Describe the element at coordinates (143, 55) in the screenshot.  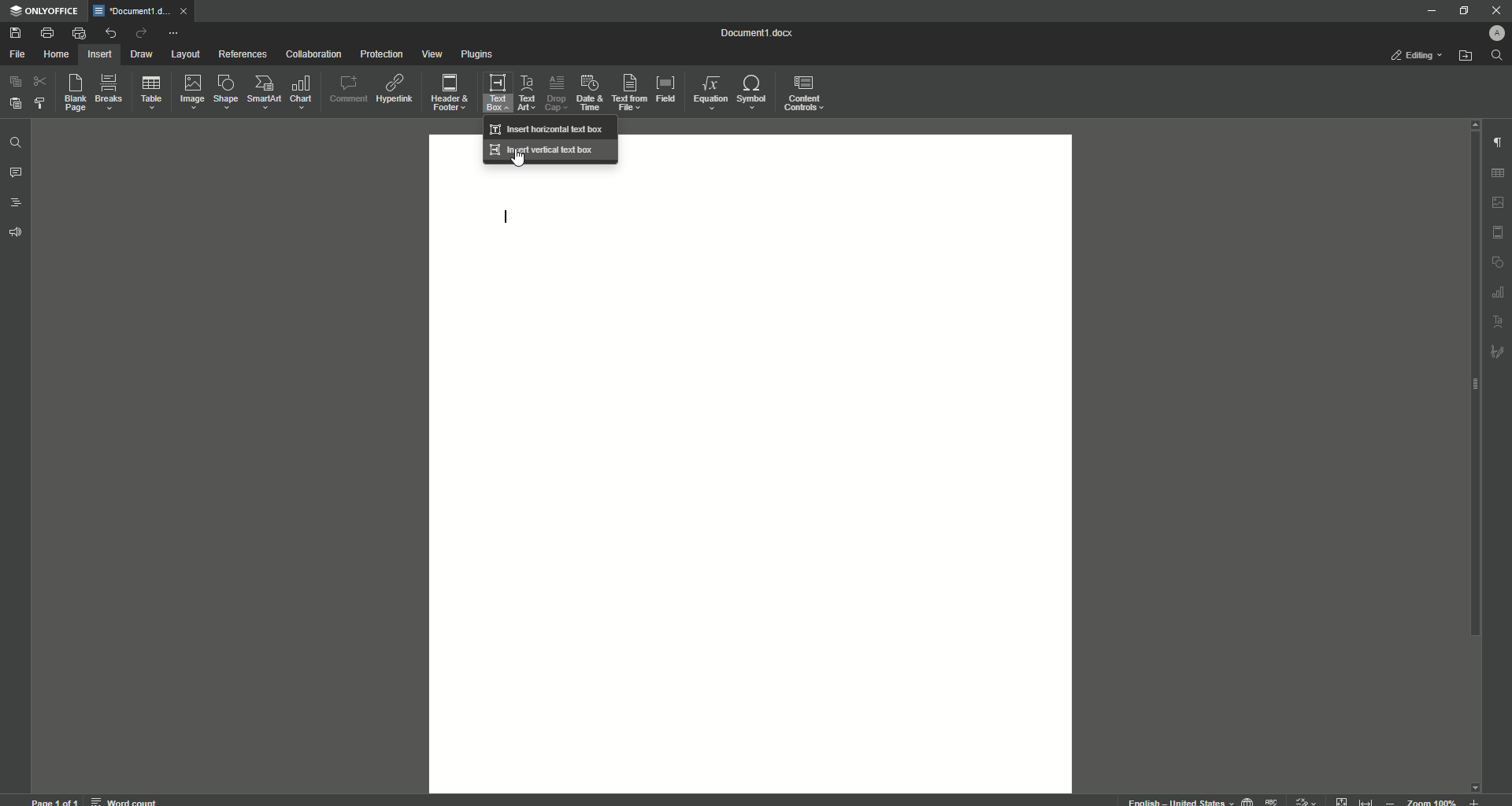
I see `Draw` at that location.